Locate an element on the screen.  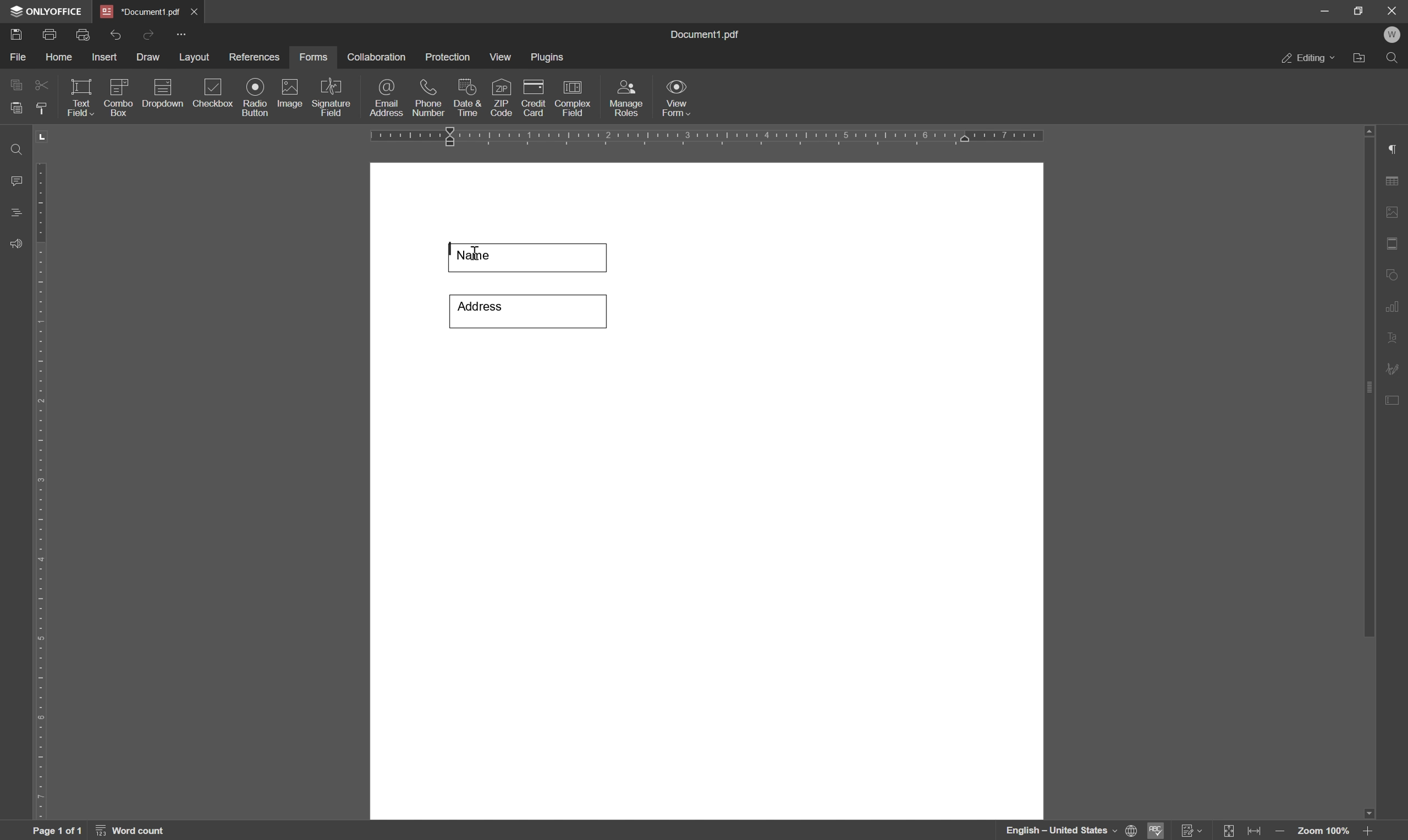
image settings is located at coordinates (1397, 215).